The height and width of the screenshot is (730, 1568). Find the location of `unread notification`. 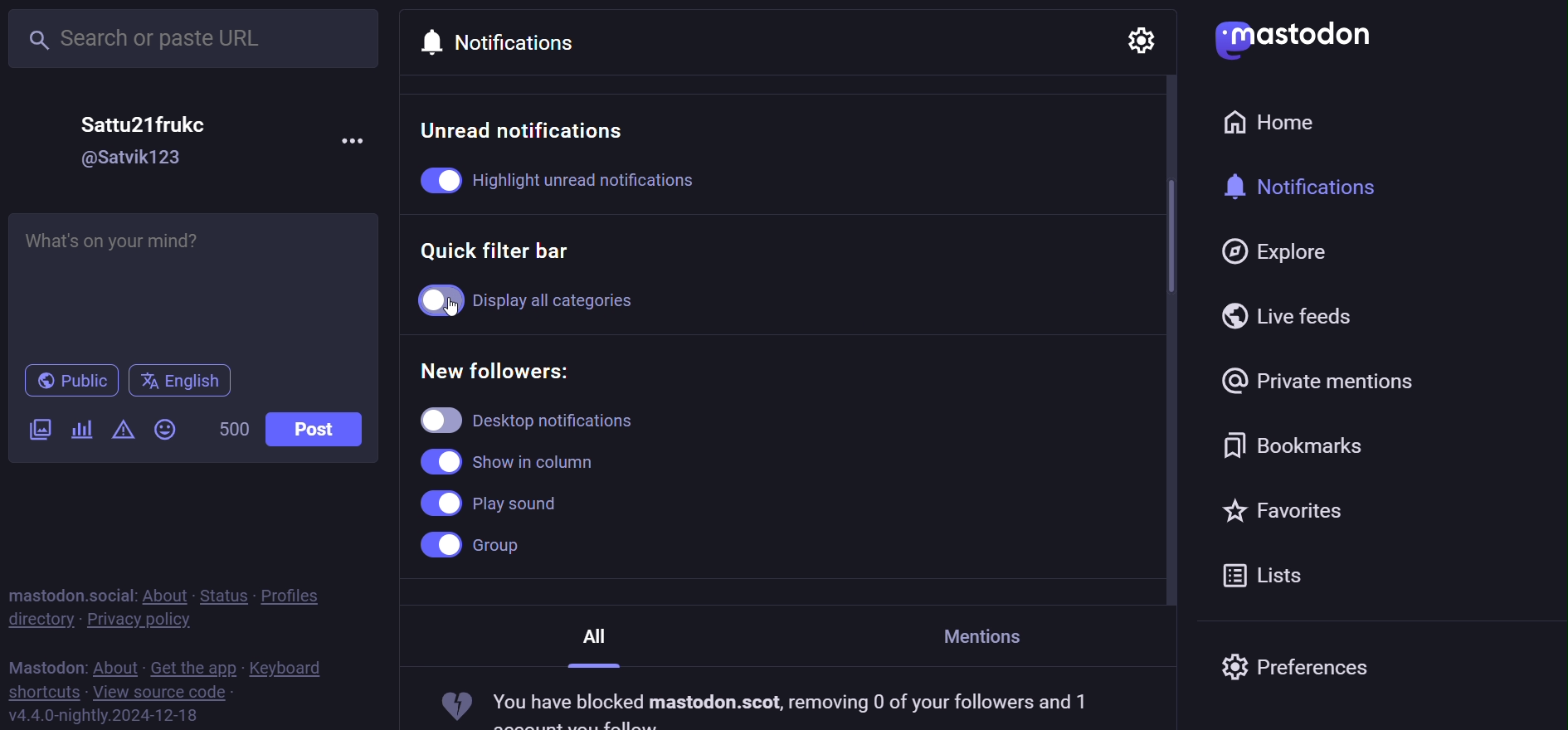

unread notification is located at coordinates (529, 130).